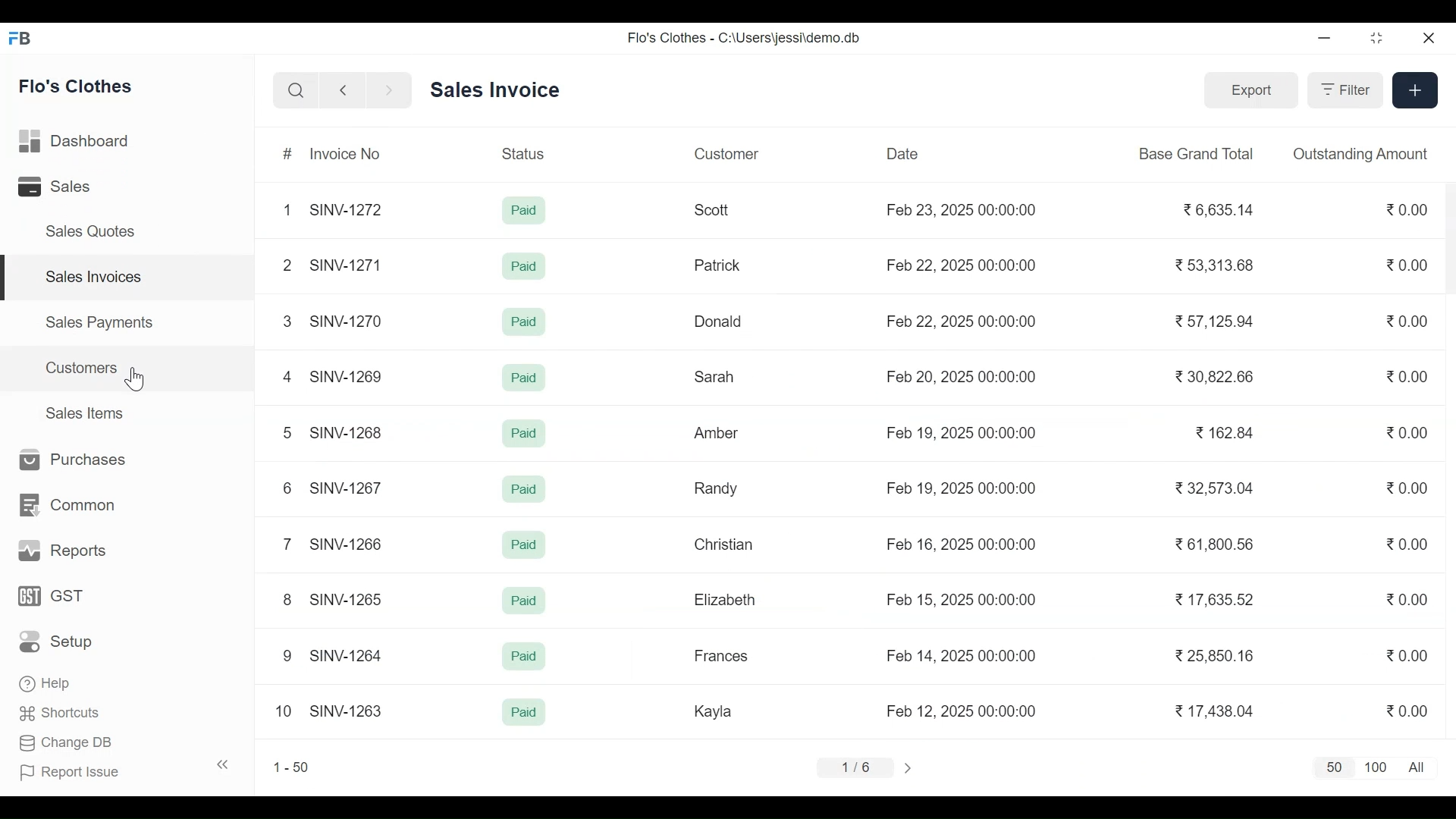 This screenshot has width=1456, height=819. What do you see at coordinates (78, 86) in the screenshot?
I see `Flo's Clothes` at bounding box center [78, 86].